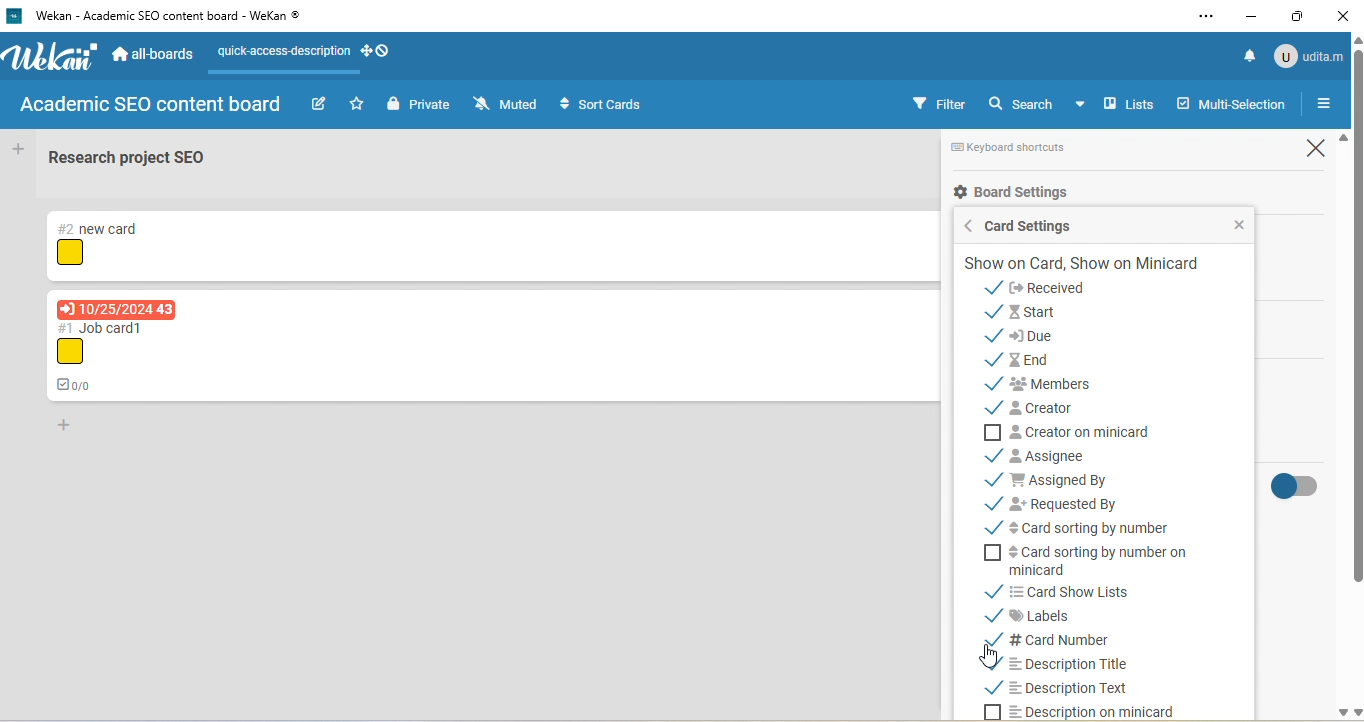 This screenshot has width=1364, height=722. I want to click on Job card1, so click(97, 327).